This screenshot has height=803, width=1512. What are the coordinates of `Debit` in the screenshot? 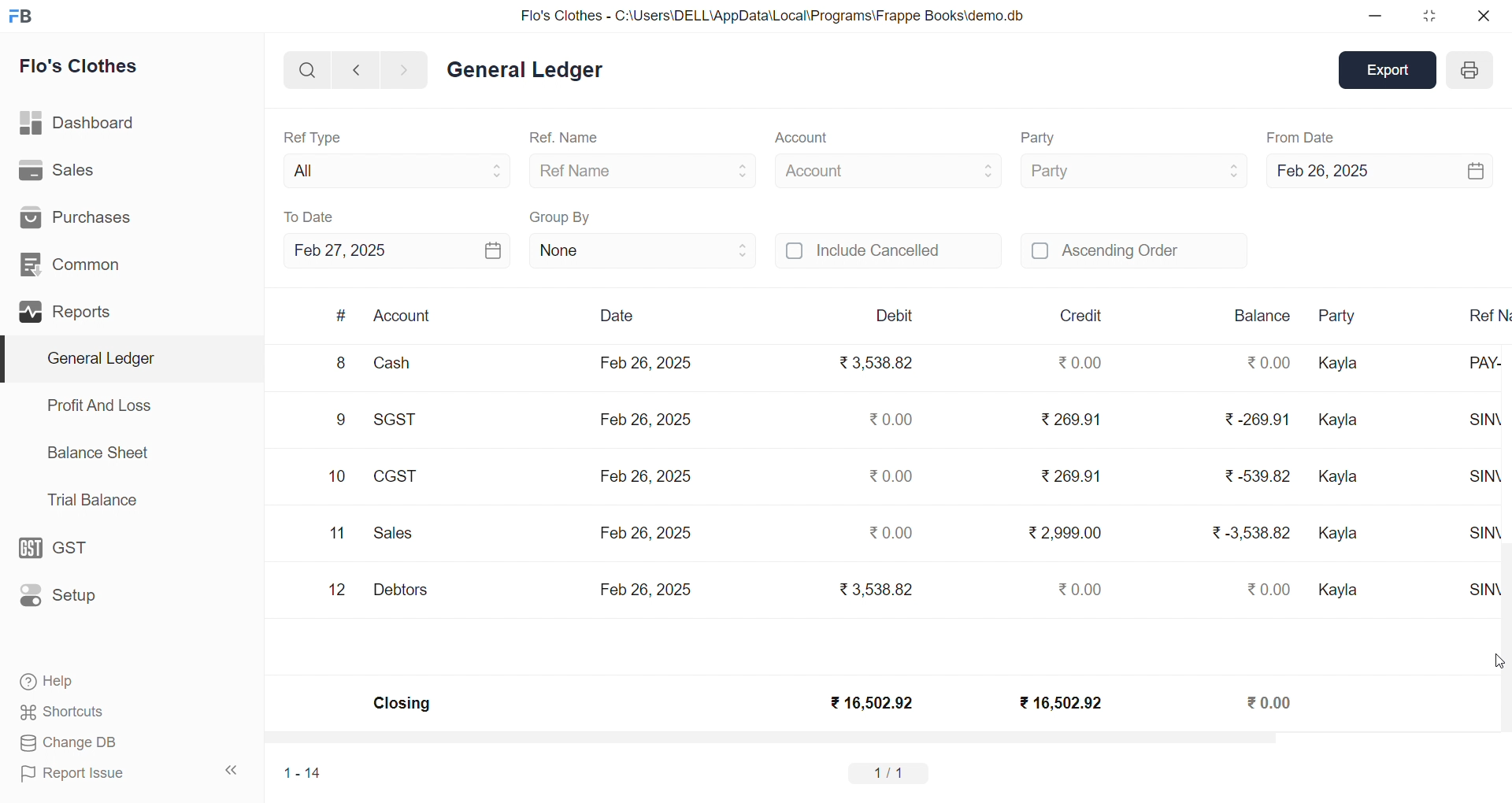 It's located at (895, 315).